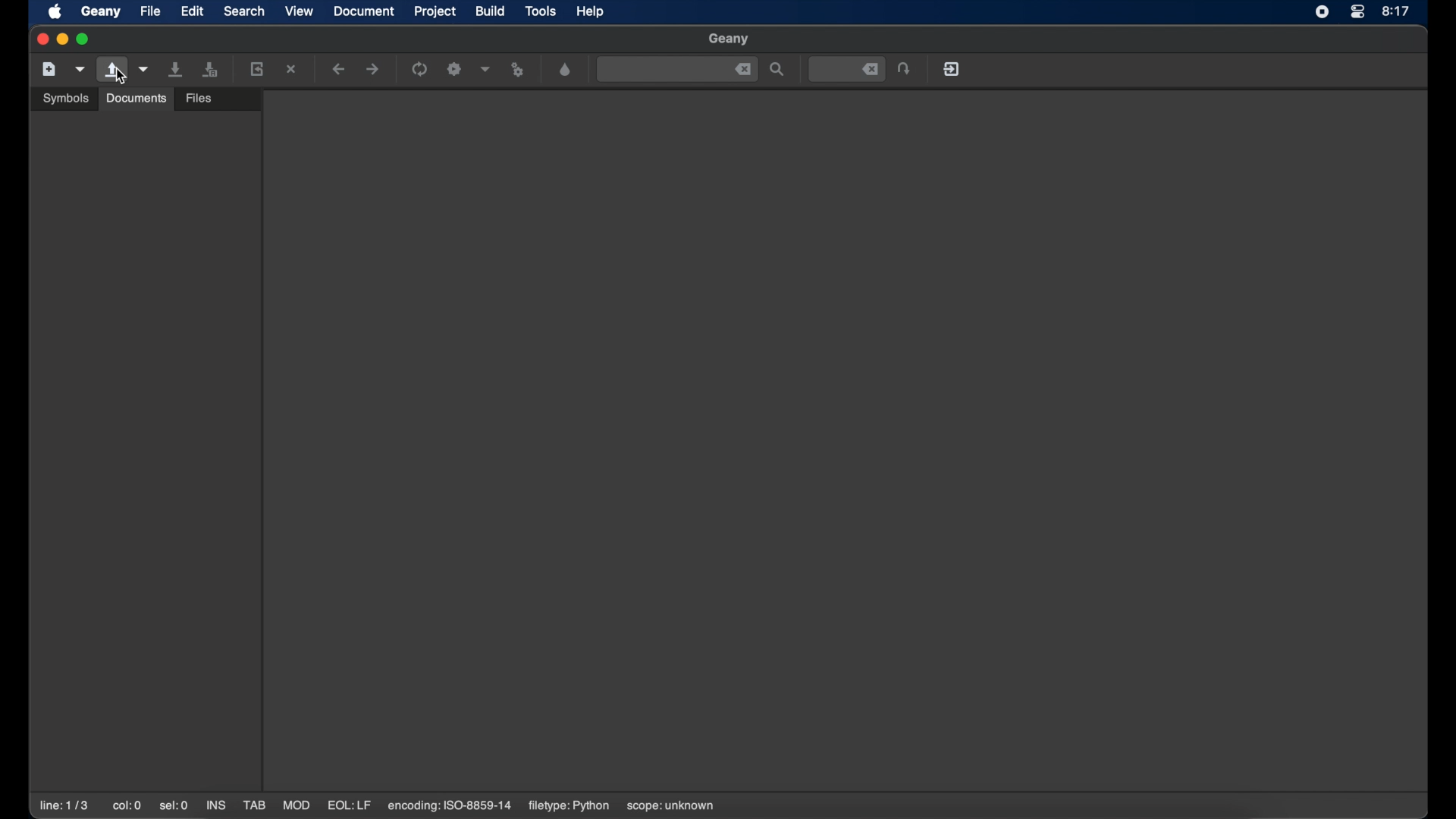 This screenshot has width=1456, height=819. I want to click on sel:0, so click(174, 807).